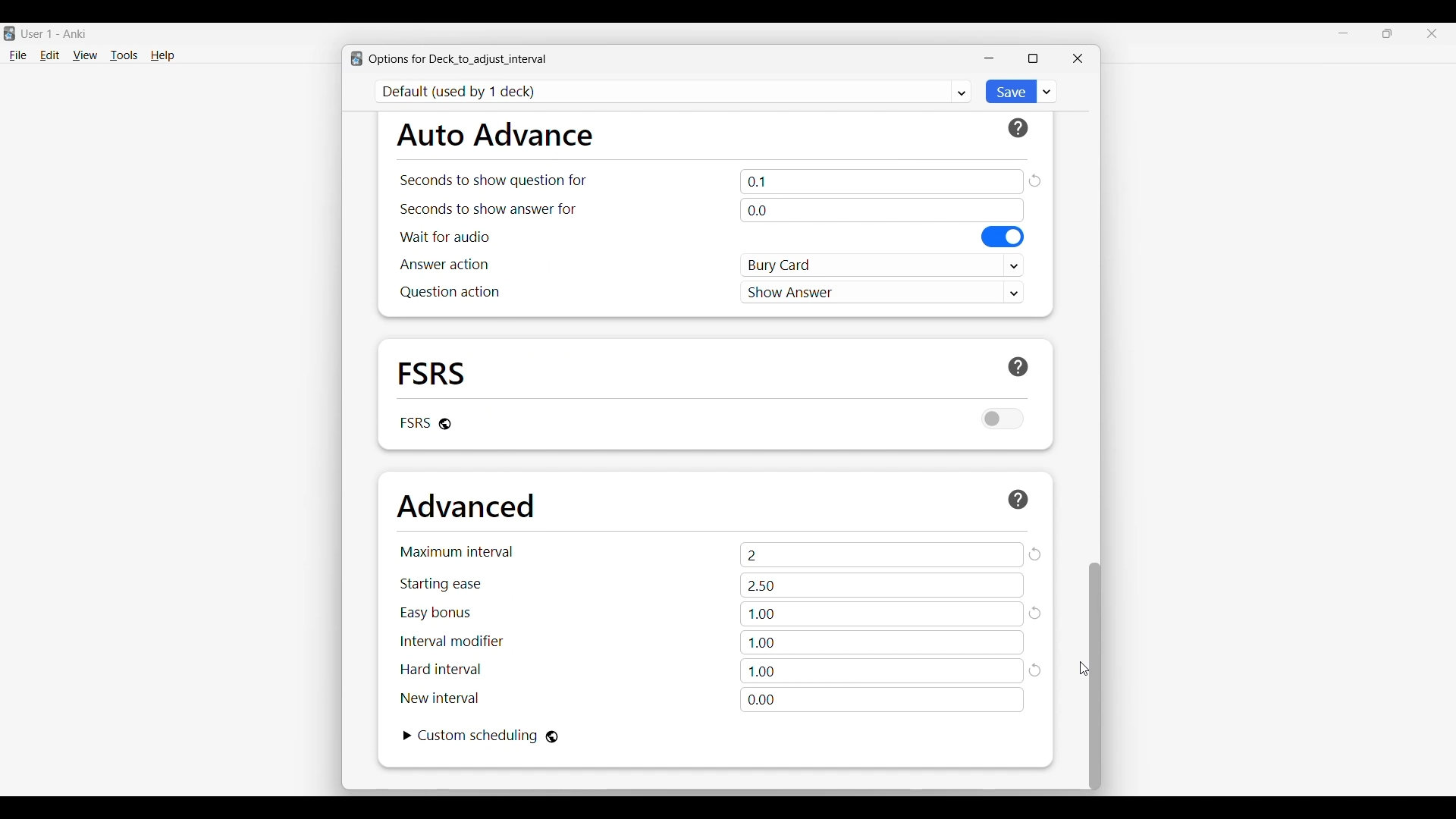  Describe the element at coordinates (414, 422) in the screenshot. I see `Indicates FSRS toggle` at that location.